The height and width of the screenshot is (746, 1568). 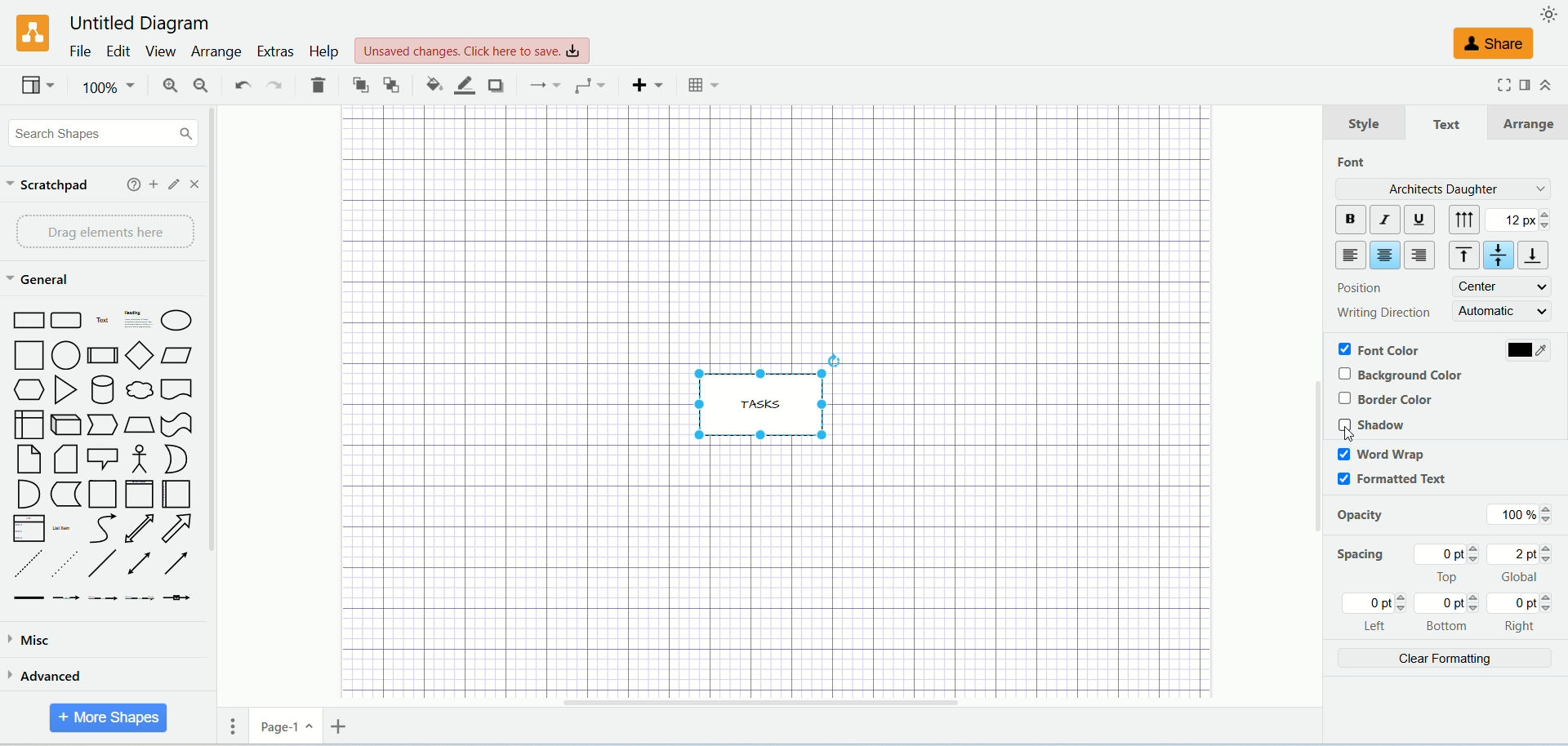 I want to click on Connector with label, so click(x=65, y=598).